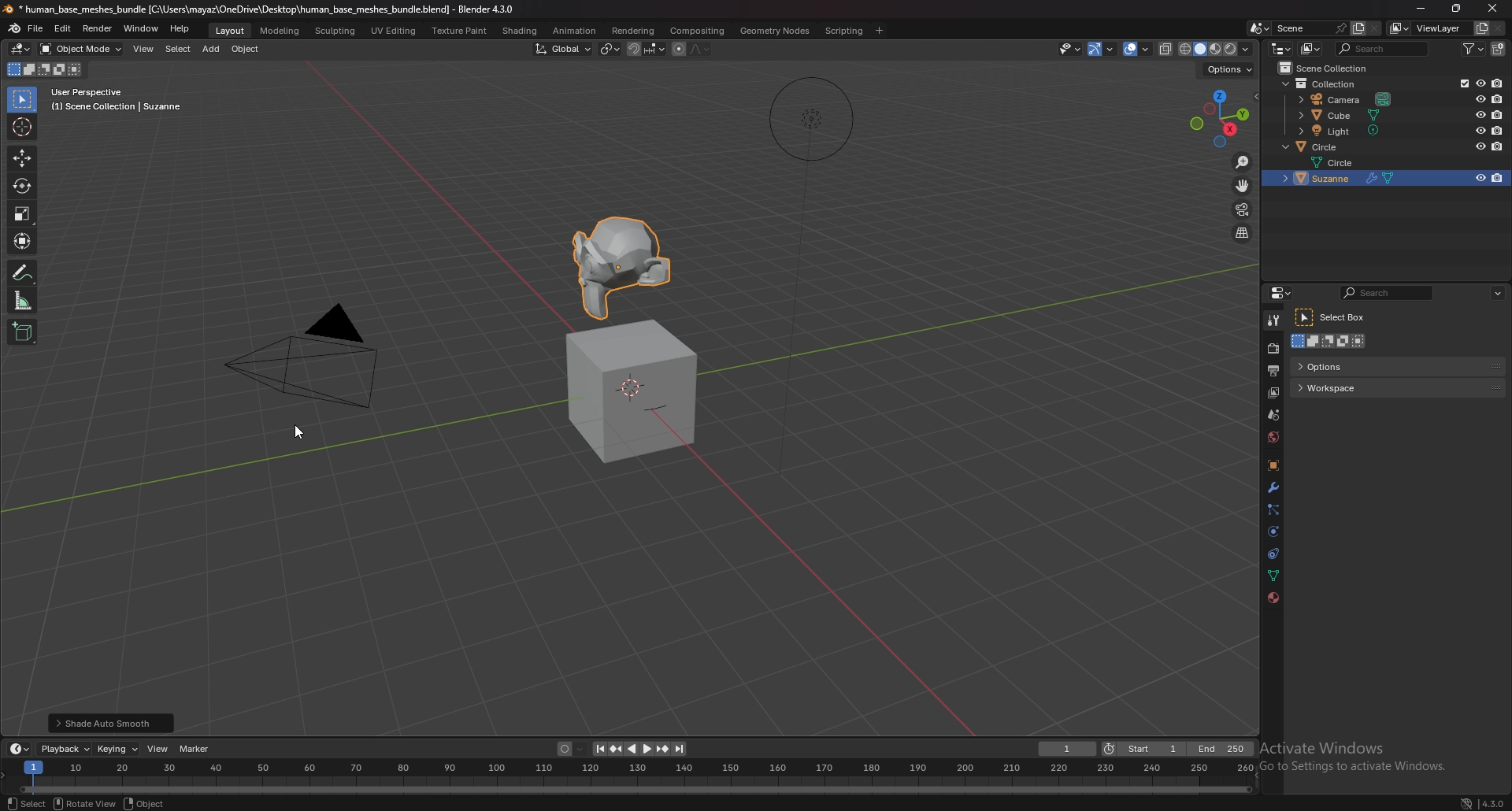 This screenshot has height=811, width=1512. I want to click on file, so click(36, 29).